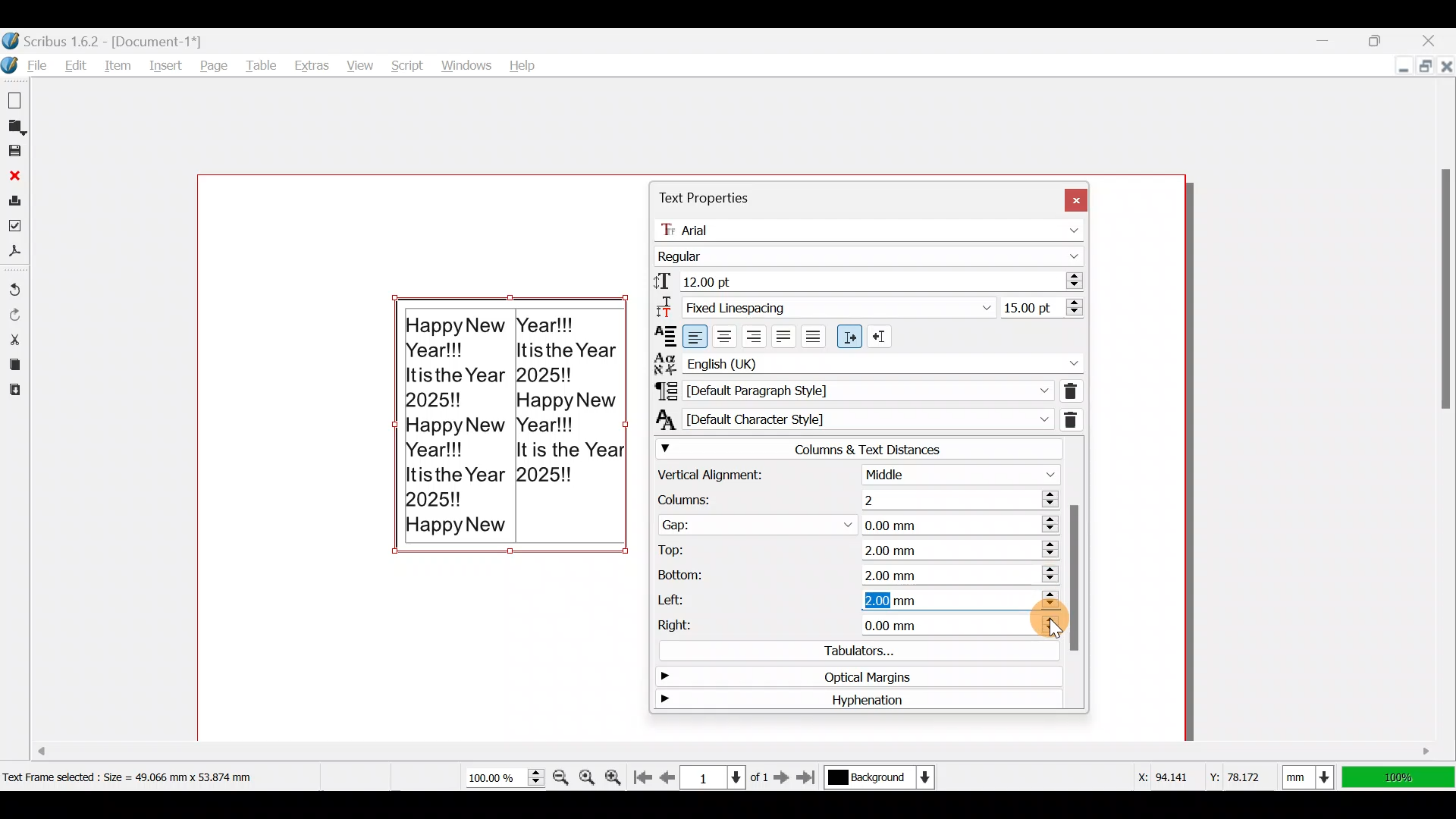 The width and height of the screenshot is (1456, 819). Describe the element at coordinates (819, 337) in the screenshot. I see `Align text forced justified` at that location.